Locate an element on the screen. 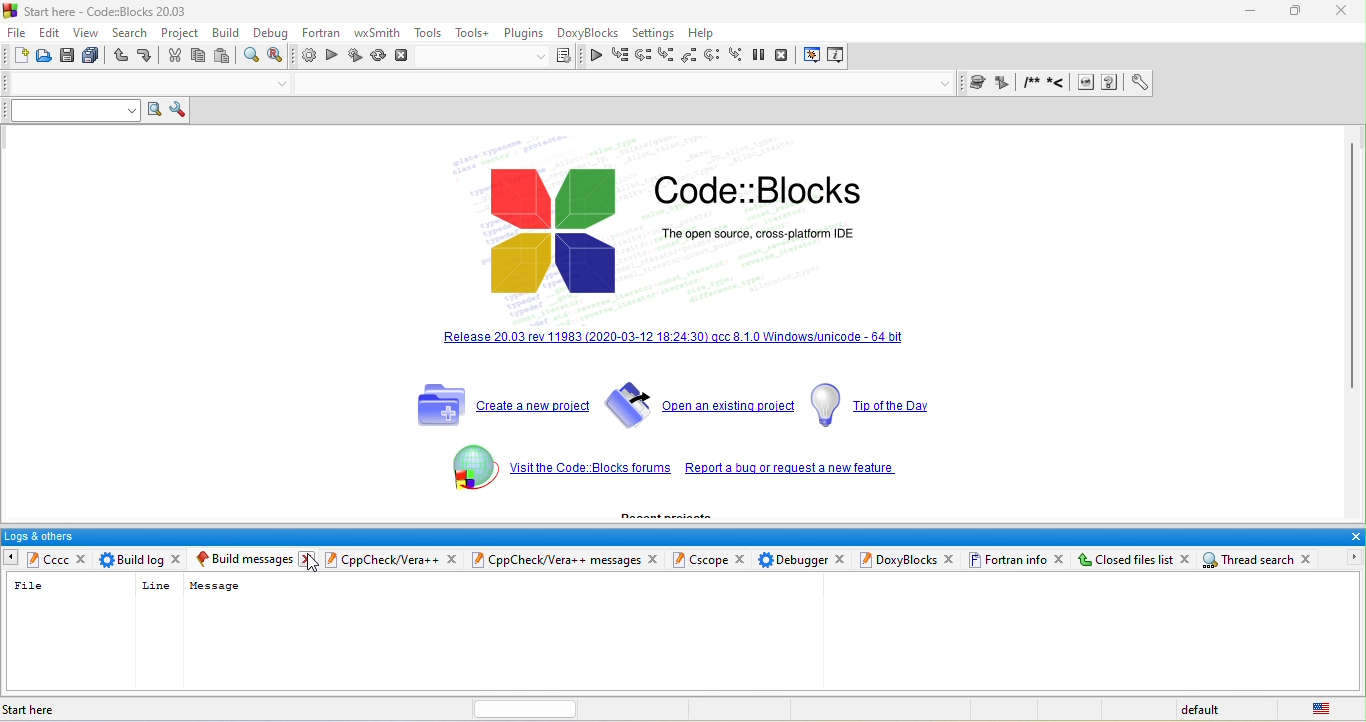  rebuild is located at coordinates (379, 56).